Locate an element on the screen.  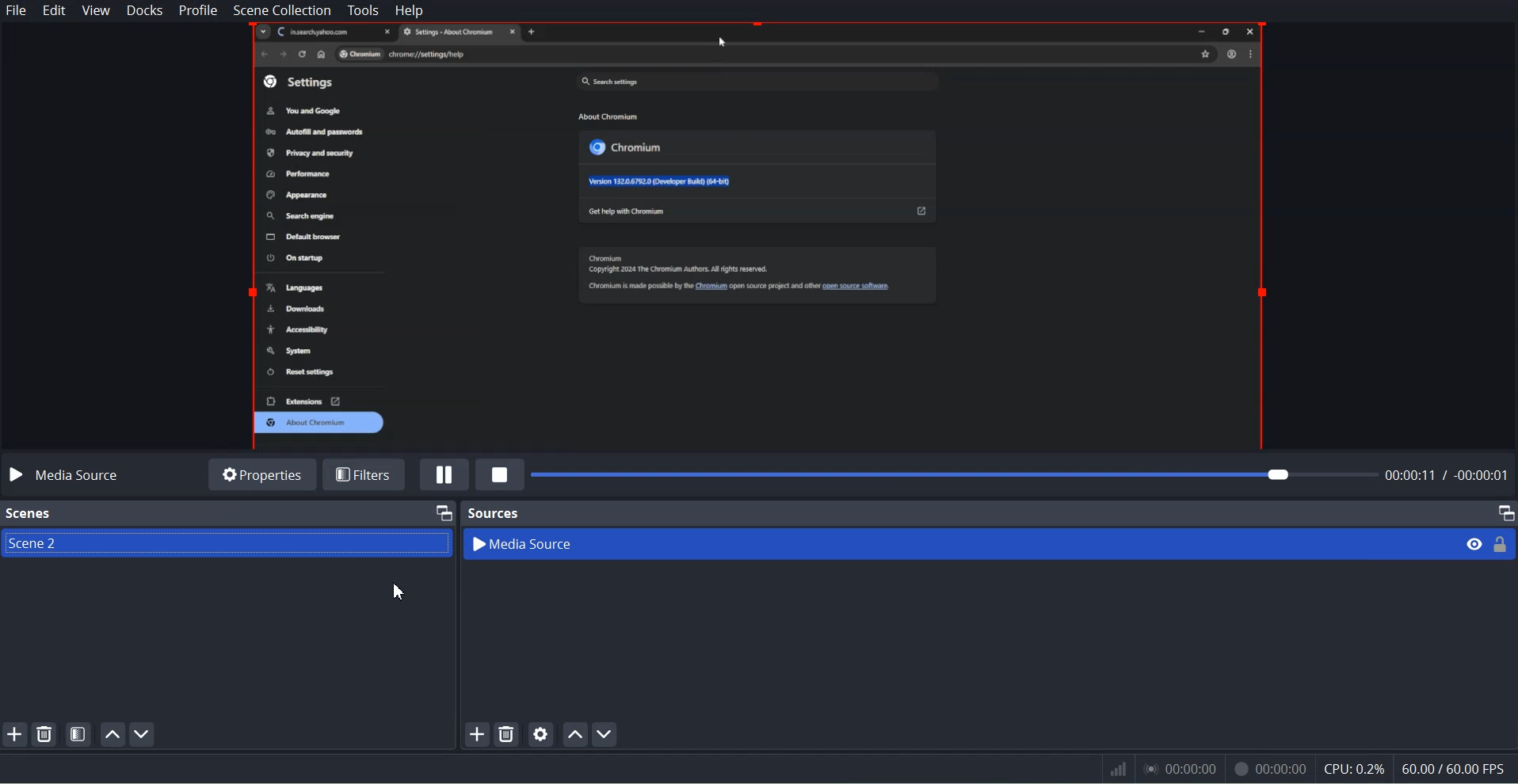
add source is located at coordinates (476, 734).